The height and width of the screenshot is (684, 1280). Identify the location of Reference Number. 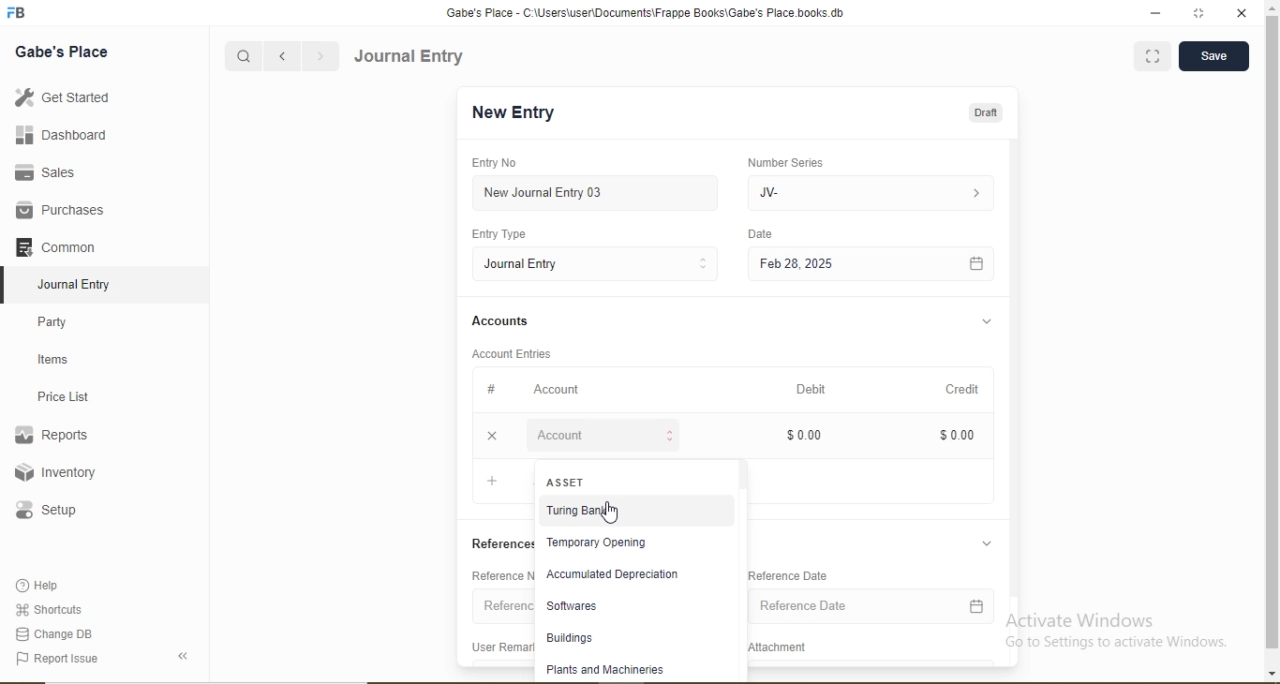
(501, 574).